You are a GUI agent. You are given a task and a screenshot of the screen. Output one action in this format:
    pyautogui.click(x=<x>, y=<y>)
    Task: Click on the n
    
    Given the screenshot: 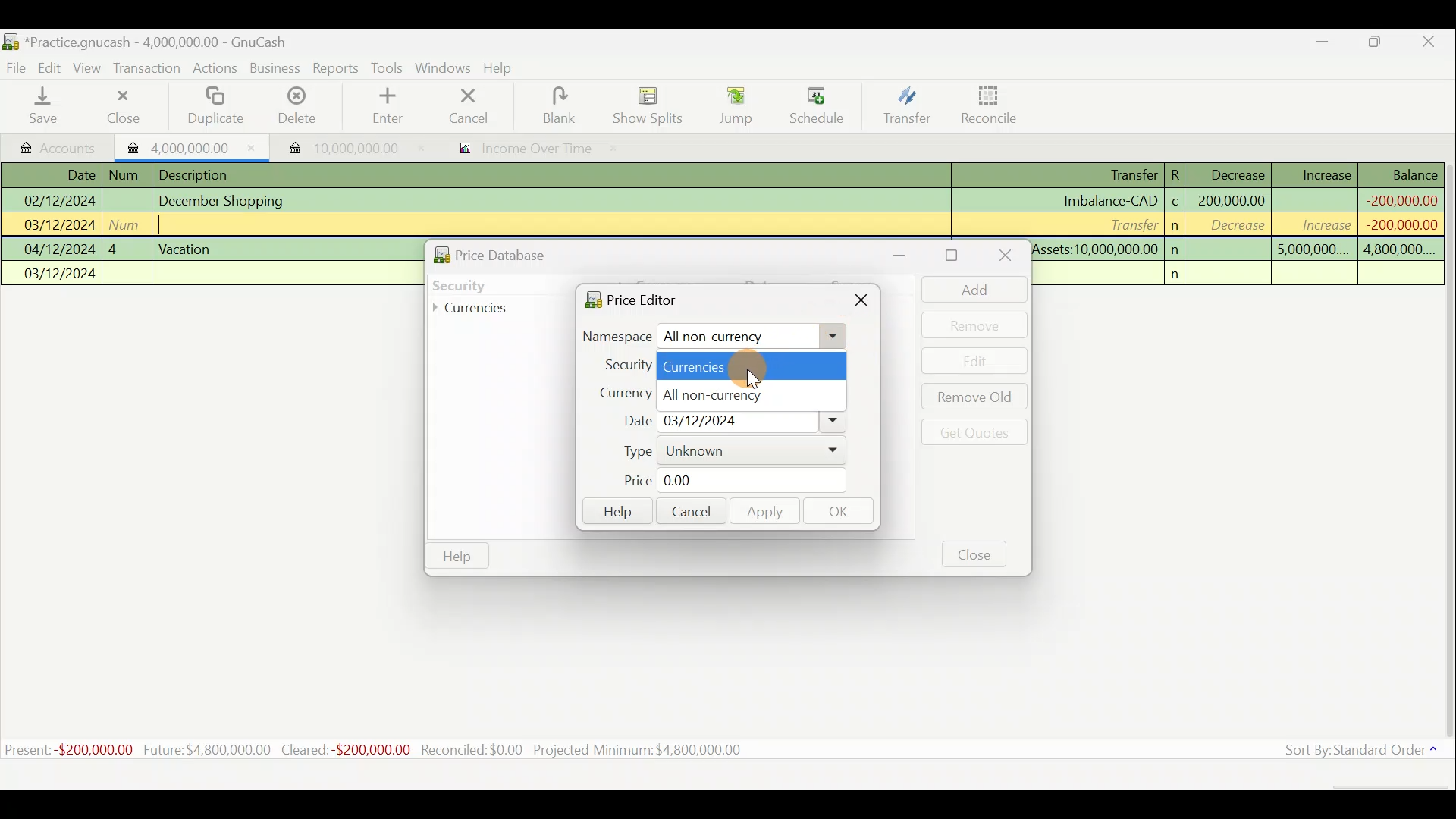 What is the action you would take?
    pyautogui.click(x=1177, y=226)
    